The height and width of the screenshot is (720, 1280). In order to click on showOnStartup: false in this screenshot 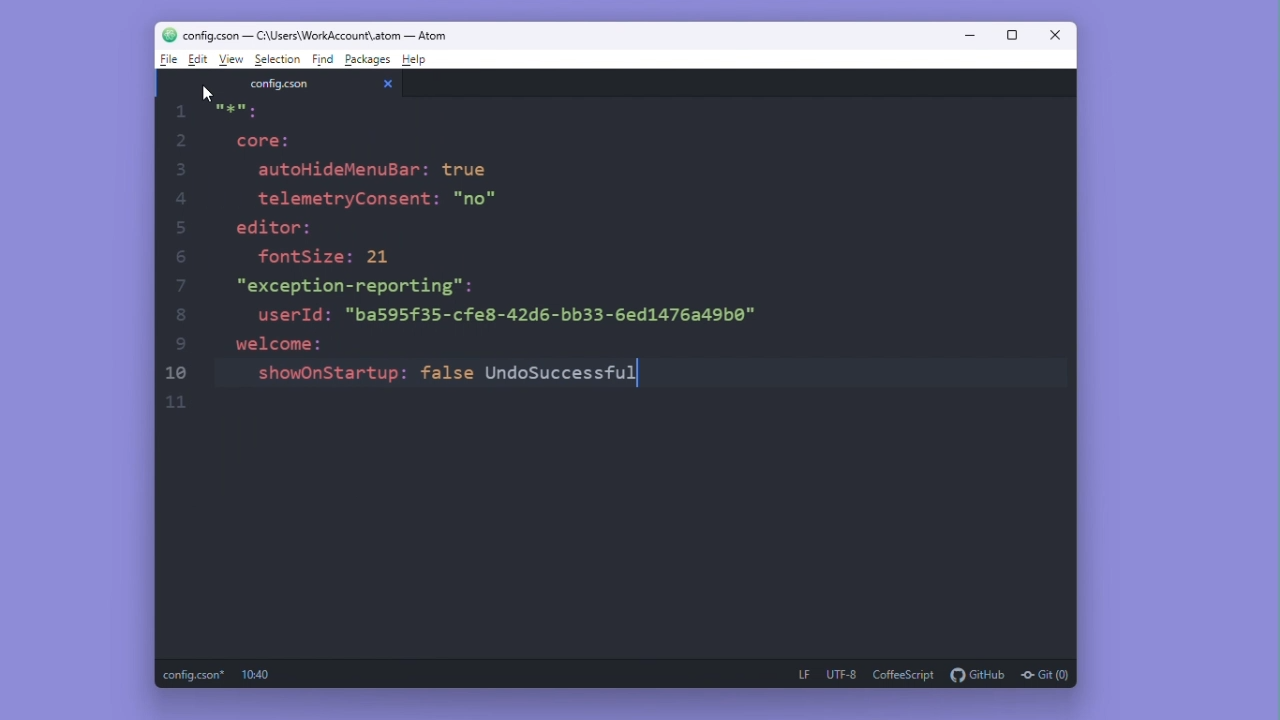, I will do `click(362, 376)`.